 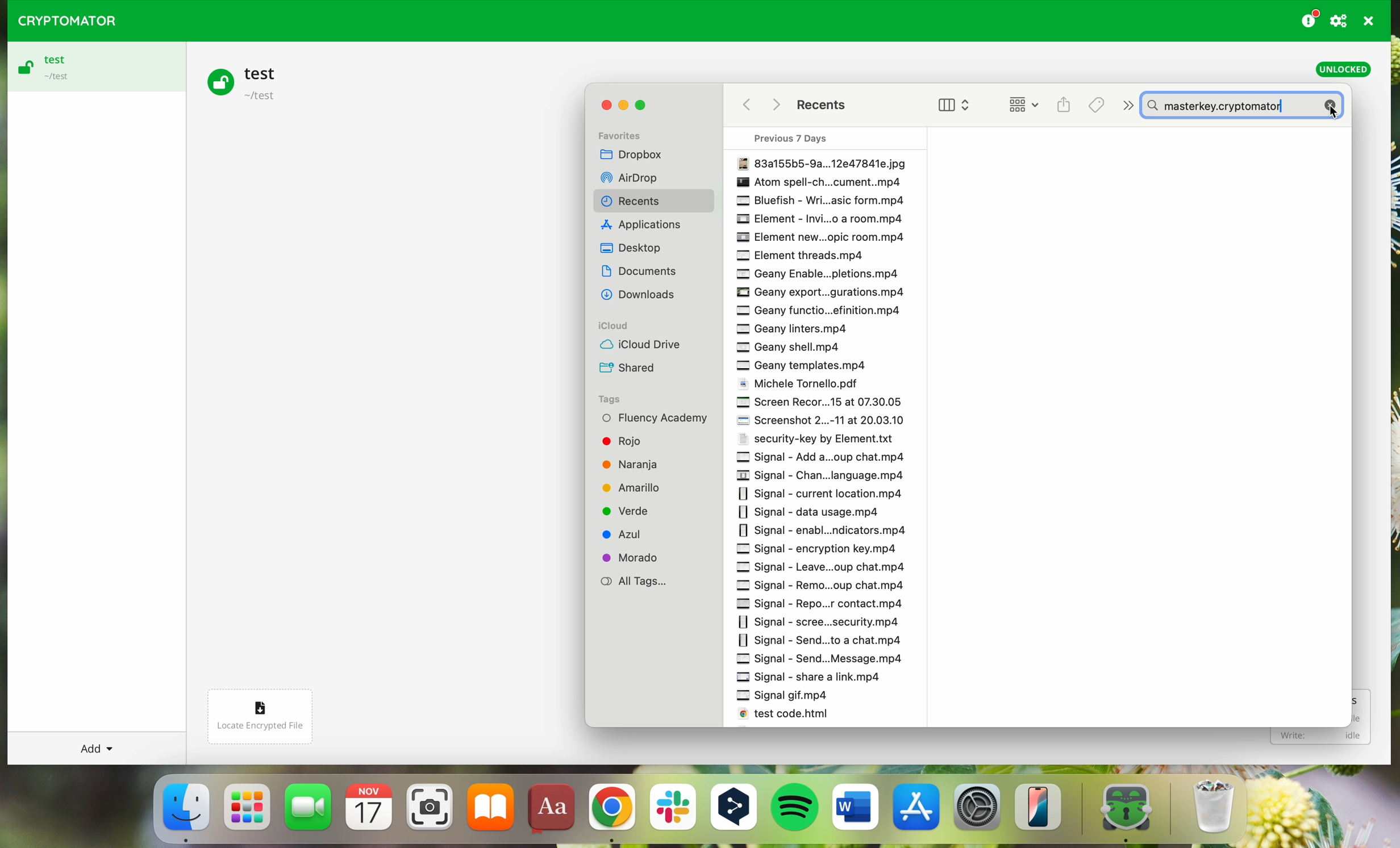 What do you see at coordinates (819, 441) in the screenshot?
I see `Security-key` at bounding box center [819, 441].